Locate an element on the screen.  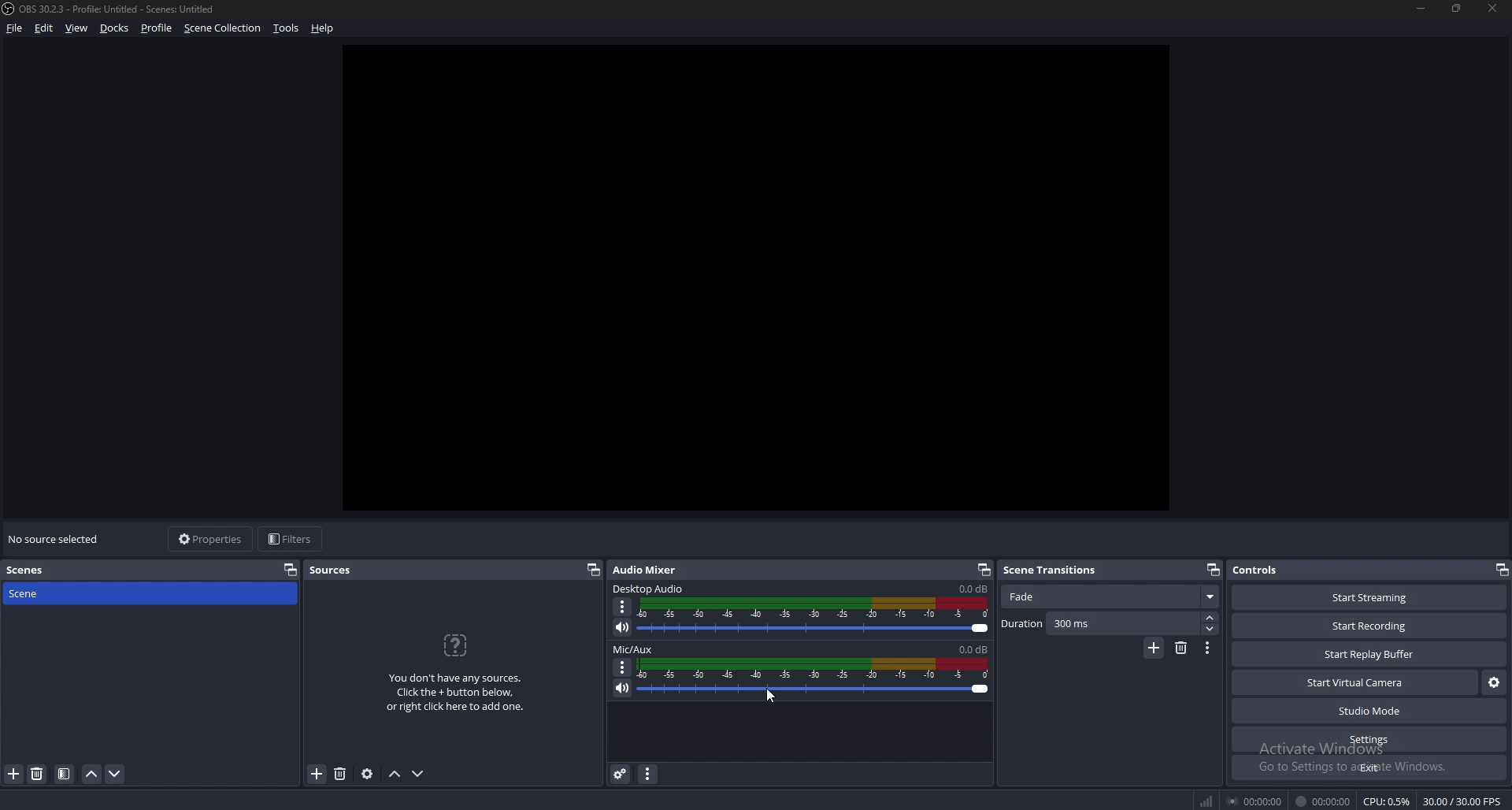
resize is located at coordinates (1458, 9).